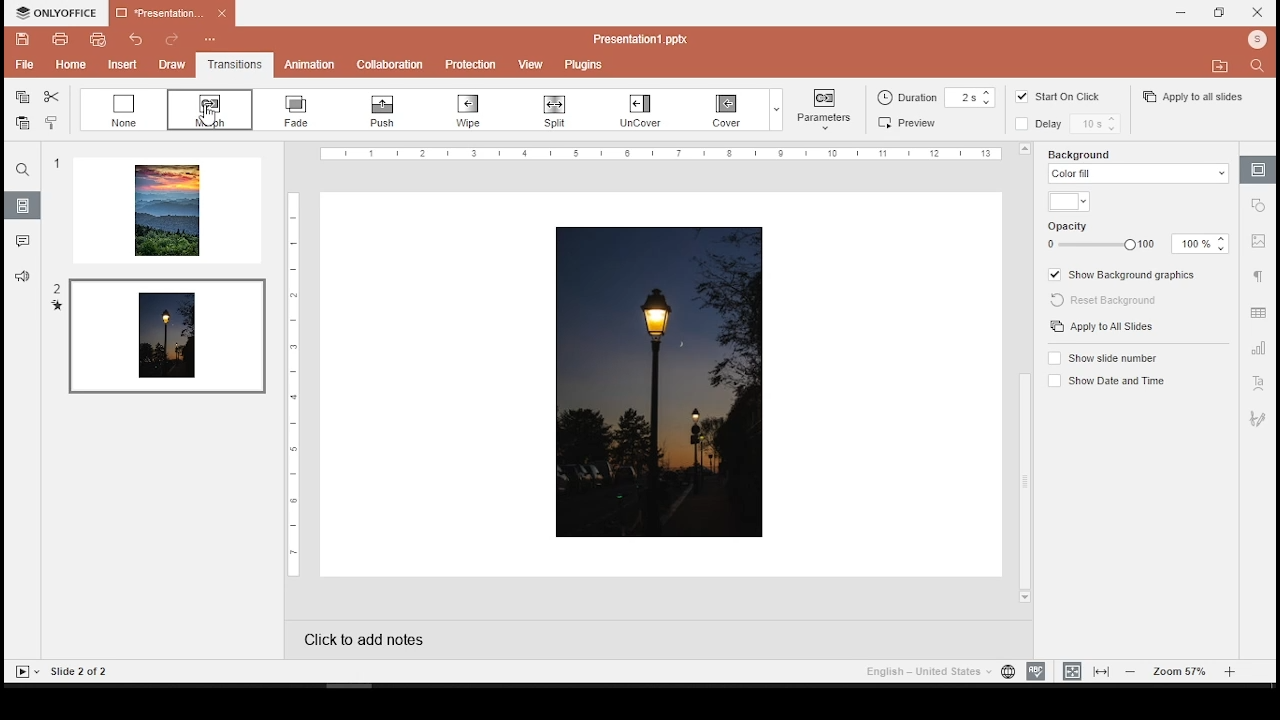 Image resolution: width=1280 pixels, height=720 pixels. I want to click on collaboration, so click(388, 62).